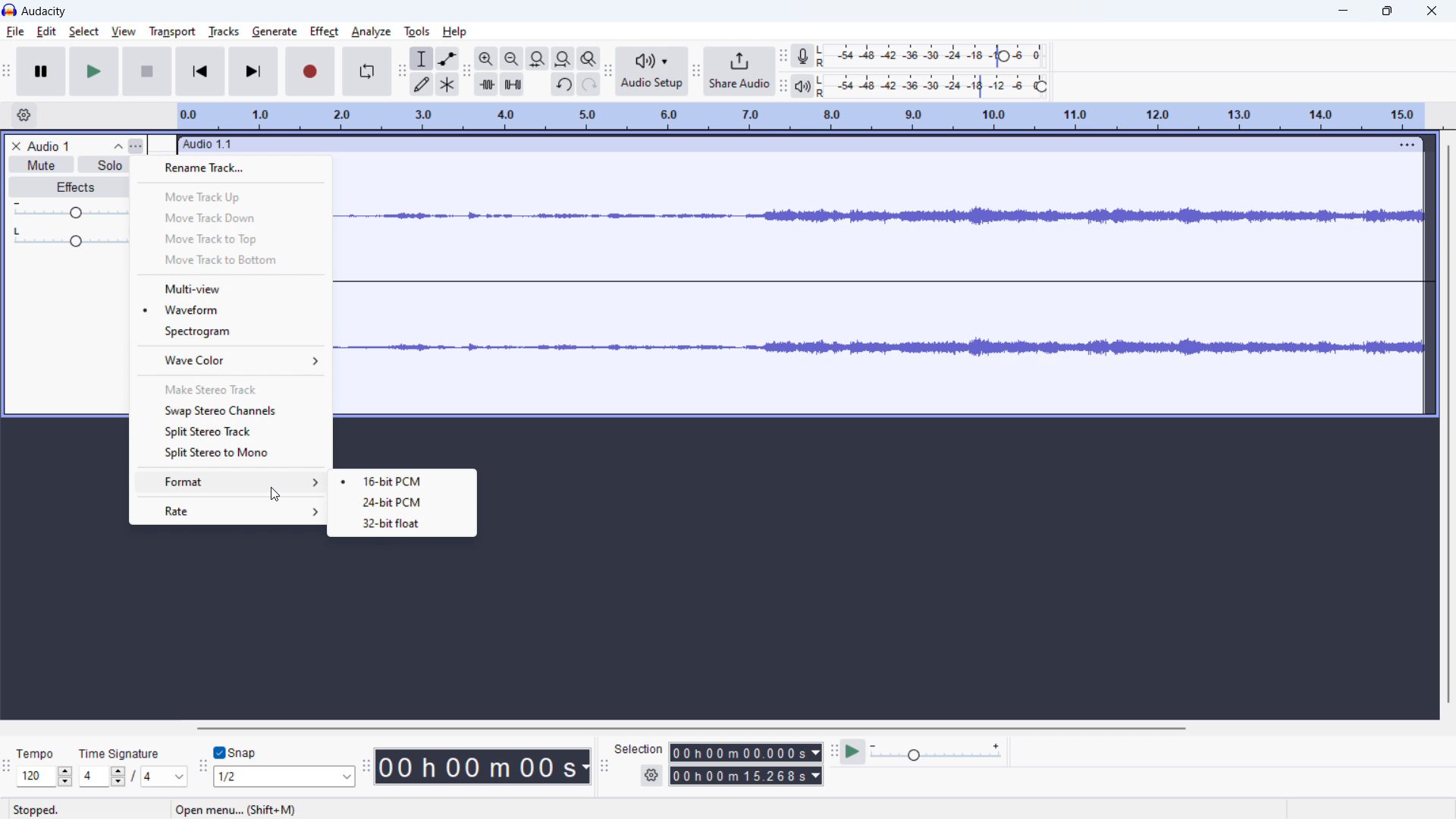 The width and height of the screenshot is (1456, 819). Describe the element at coordinates (49, 146) in the screenshot. I see `title o project` at that location.